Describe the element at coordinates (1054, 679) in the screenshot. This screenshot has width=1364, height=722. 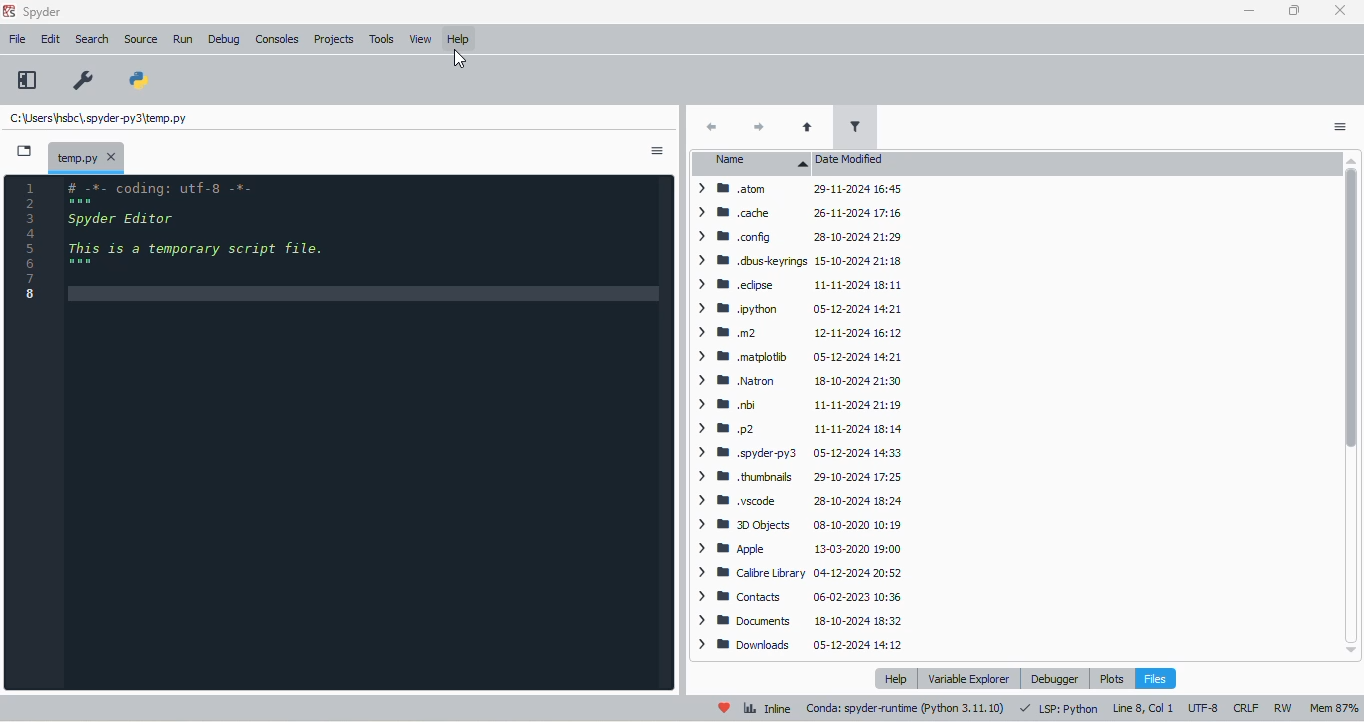
I see `debugger` at that location.